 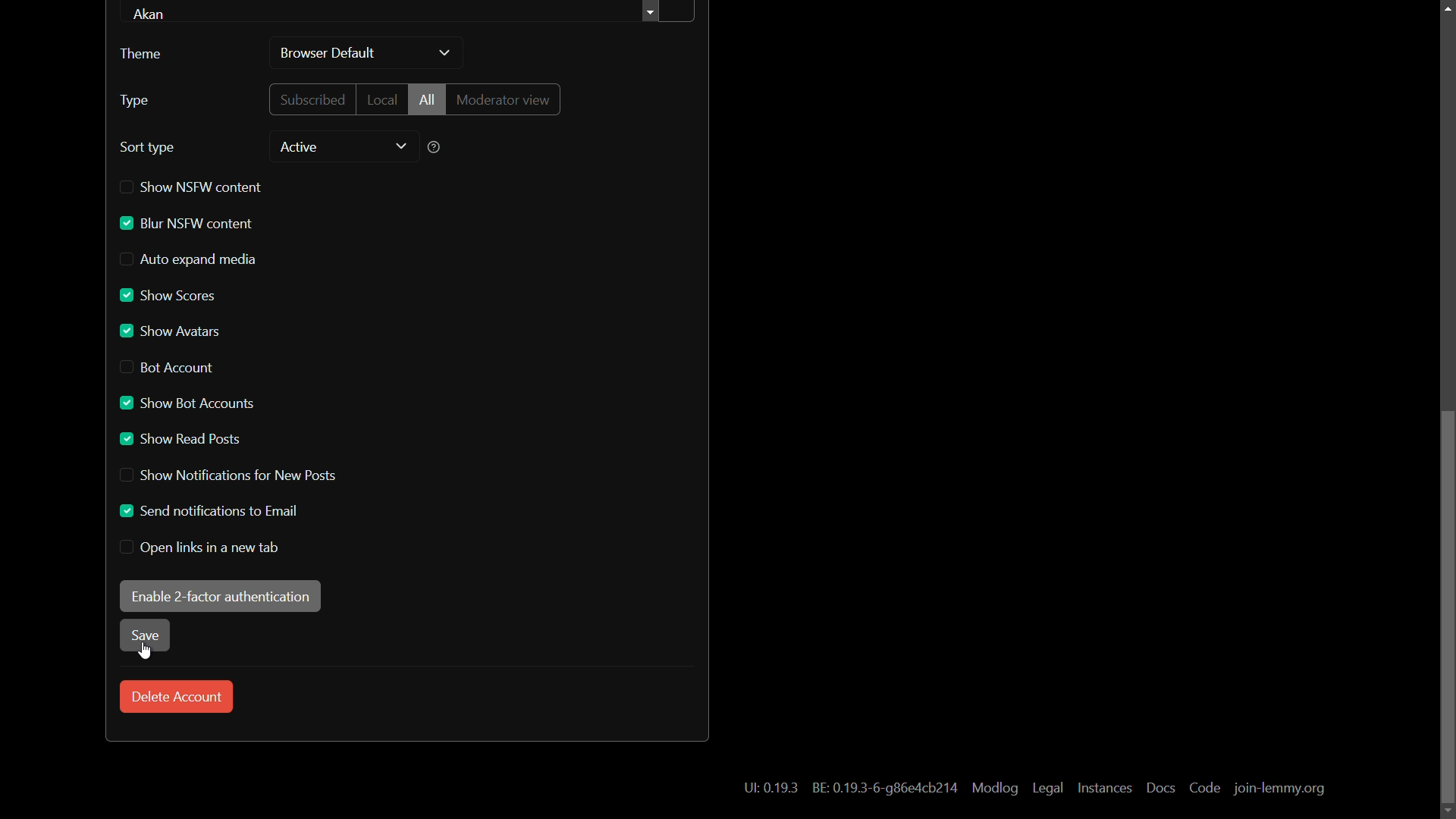 I want to click on join lemmy.org, so click(x=1279, y=789).